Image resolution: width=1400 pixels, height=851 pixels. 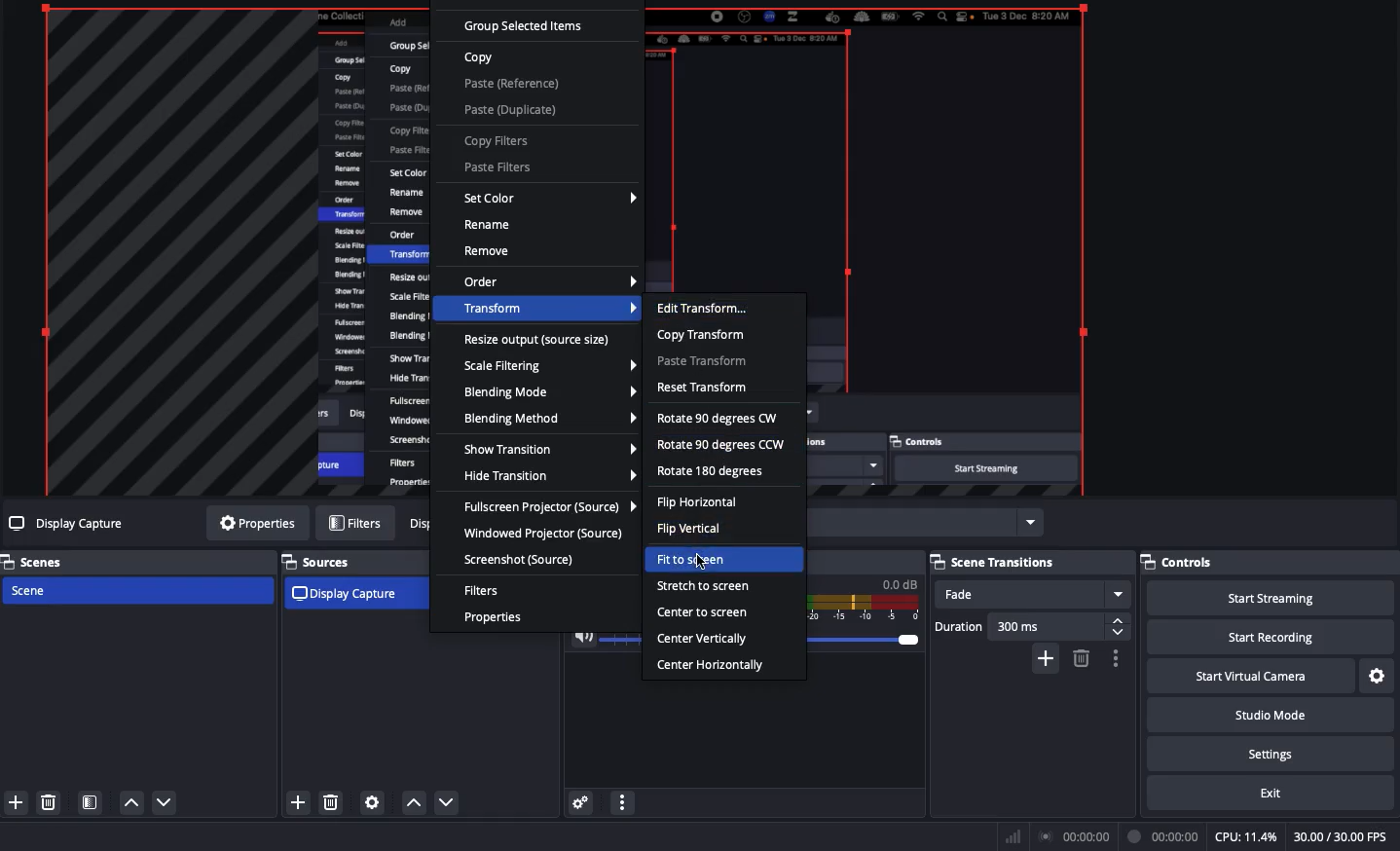 I want to click on delete, so click(x=331, y=800).